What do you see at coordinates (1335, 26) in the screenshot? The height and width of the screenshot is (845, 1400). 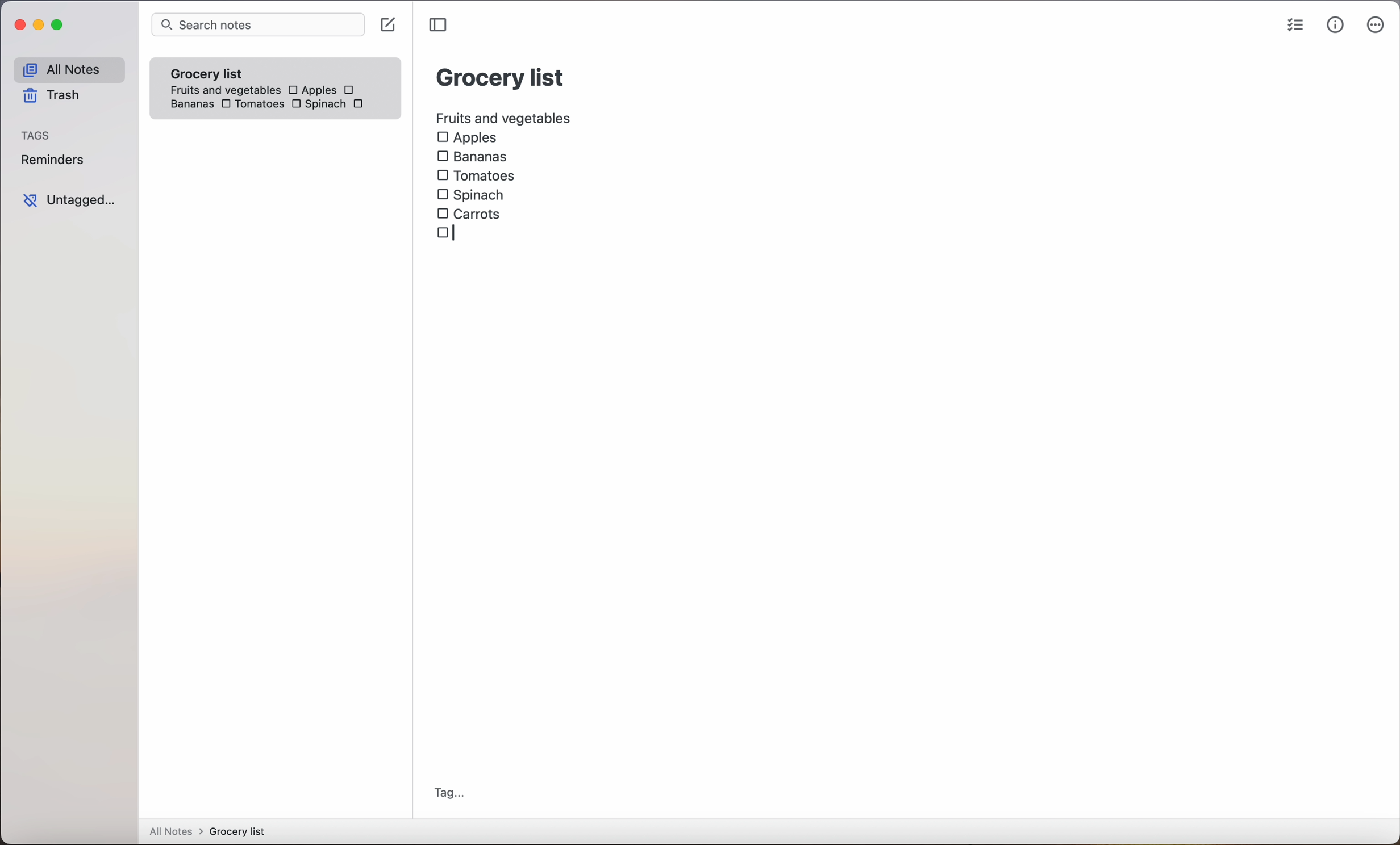 I see `metrics` at bounding box center [1335, 26].